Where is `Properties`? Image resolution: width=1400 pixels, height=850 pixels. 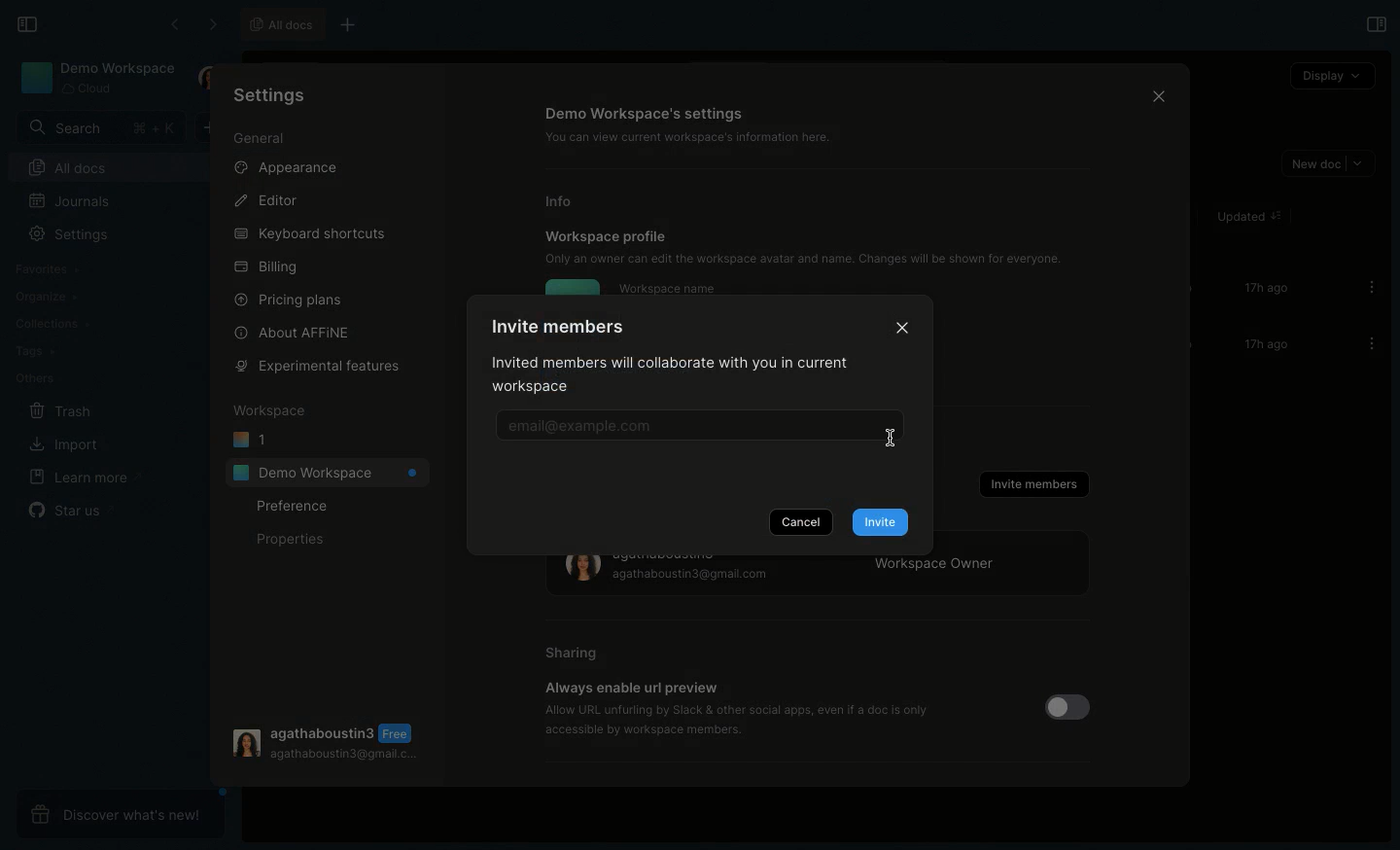
Properties is located at coordinates (288, 540).